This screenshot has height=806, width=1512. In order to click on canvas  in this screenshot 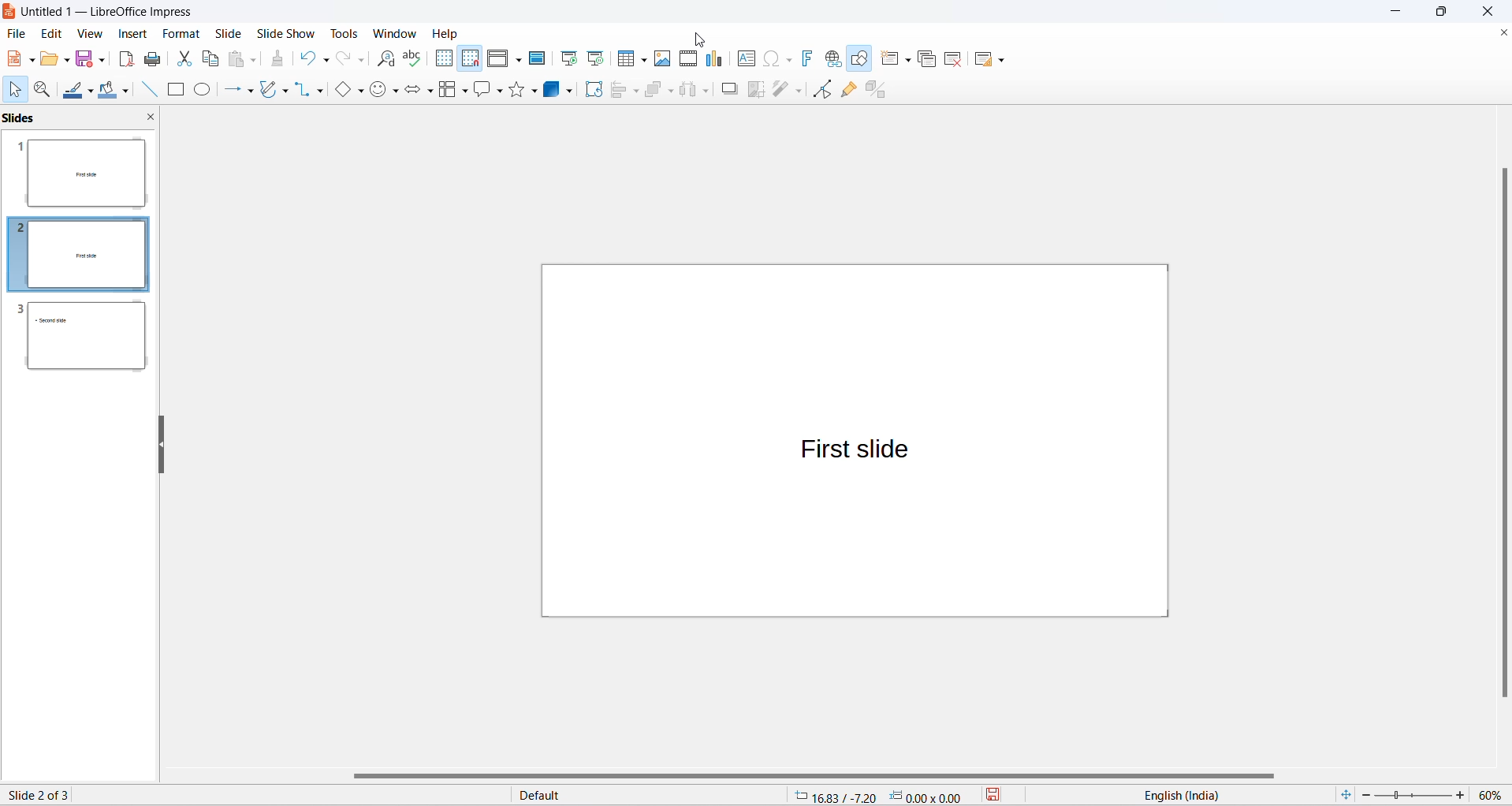, I will do `click(856, 440)`.